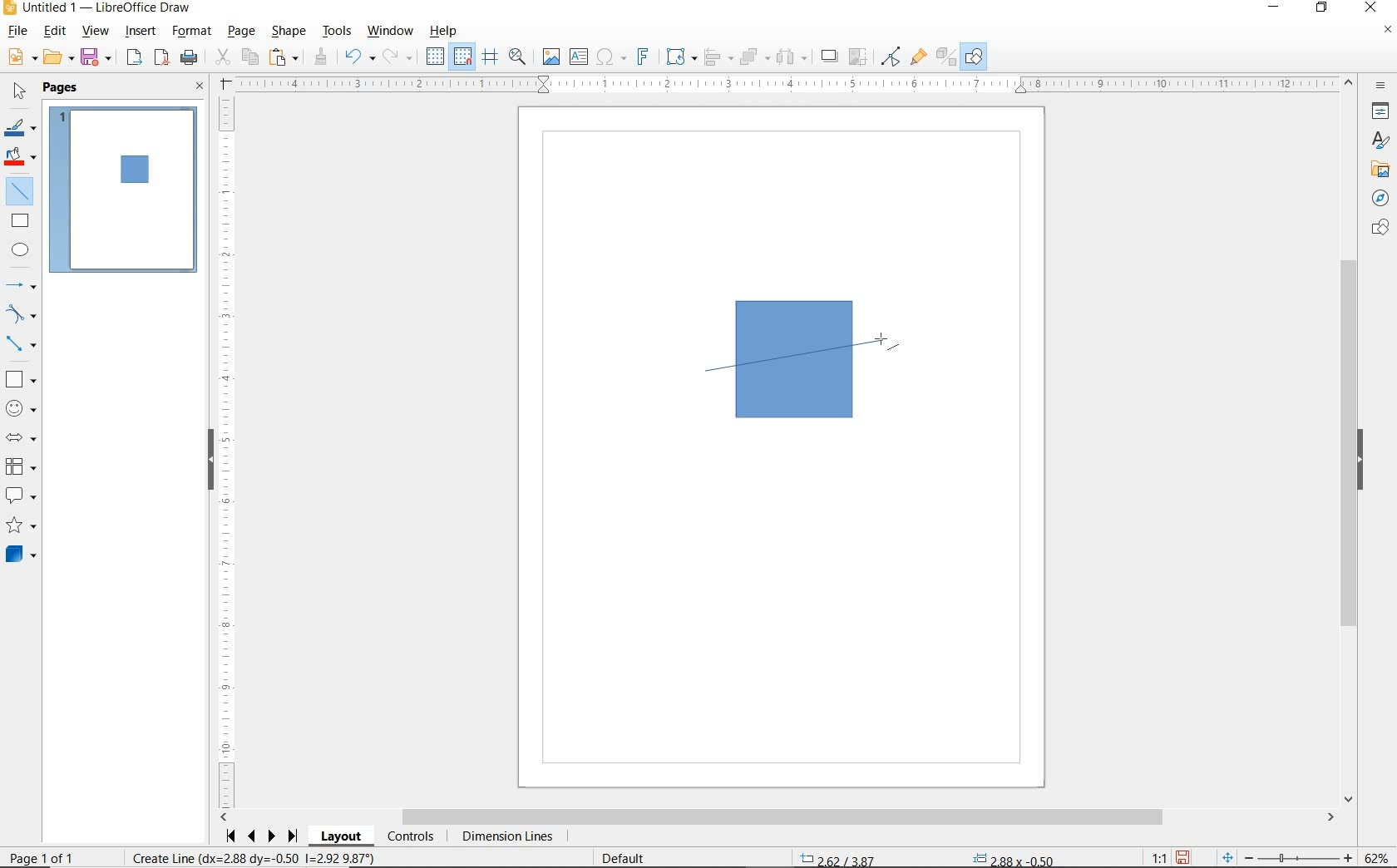 The image size is (1397, 868). Describe the element at coordinates (243, 32) in the screenshot. I see `PAGE` at that location.